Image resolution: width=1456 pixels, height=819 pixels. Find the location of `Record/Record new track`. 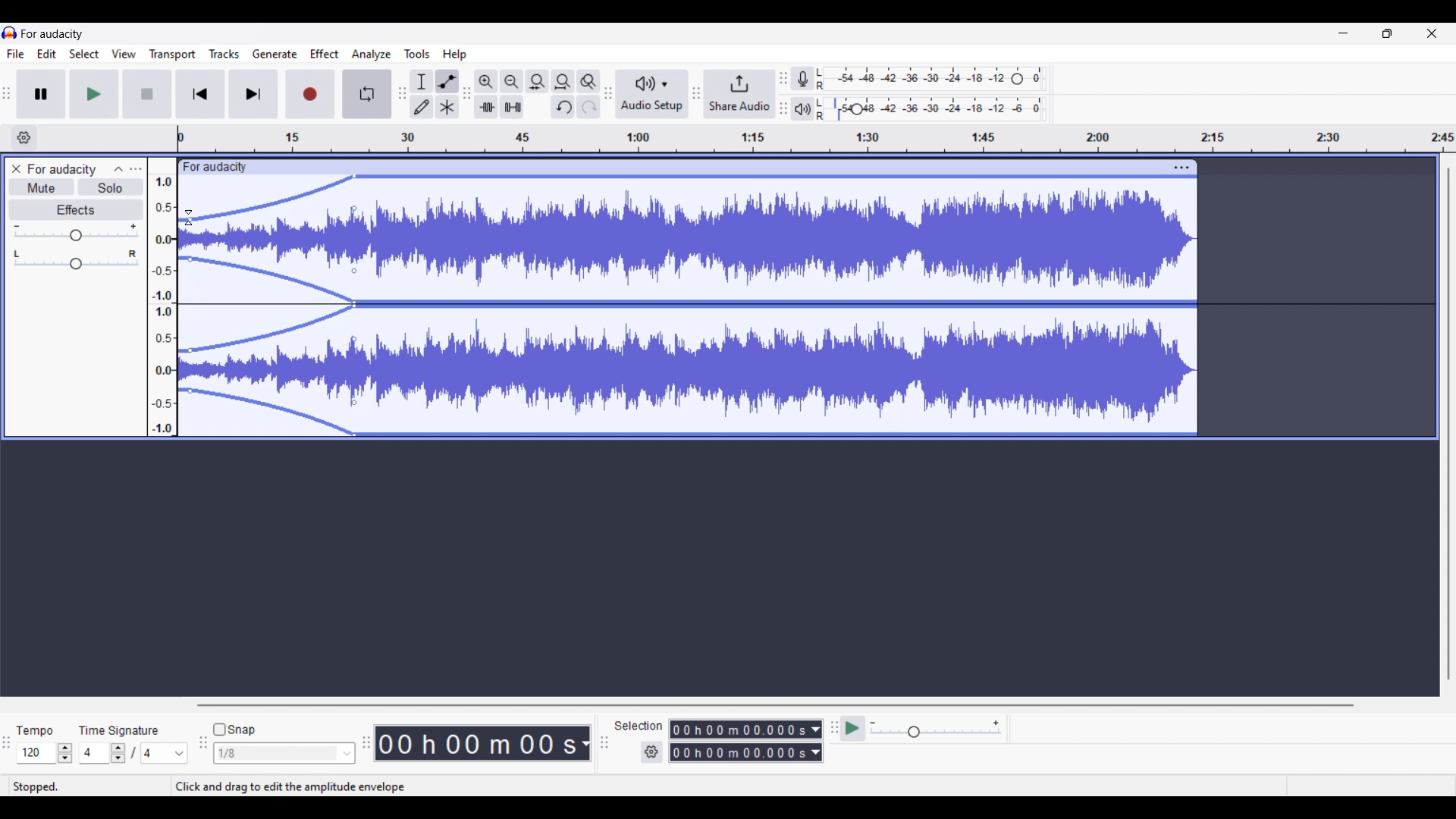

Record/Record new track is located at coordinates (311, 94).